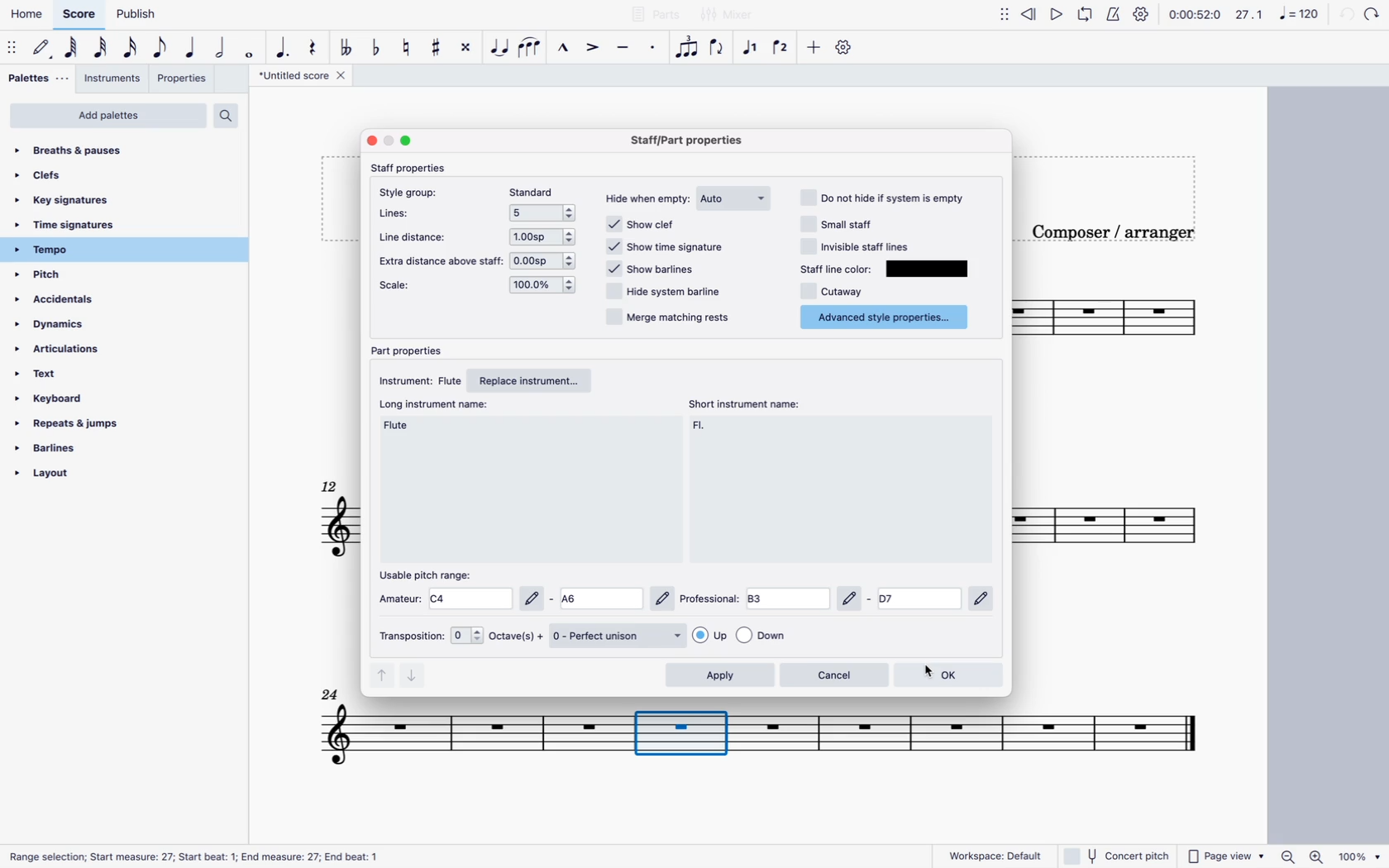 This screenshot has height=868, width=1389. What do you see at coordinates (418, 236) in the screenshot?
I see `line distance ` at bounding box center [418, 236].